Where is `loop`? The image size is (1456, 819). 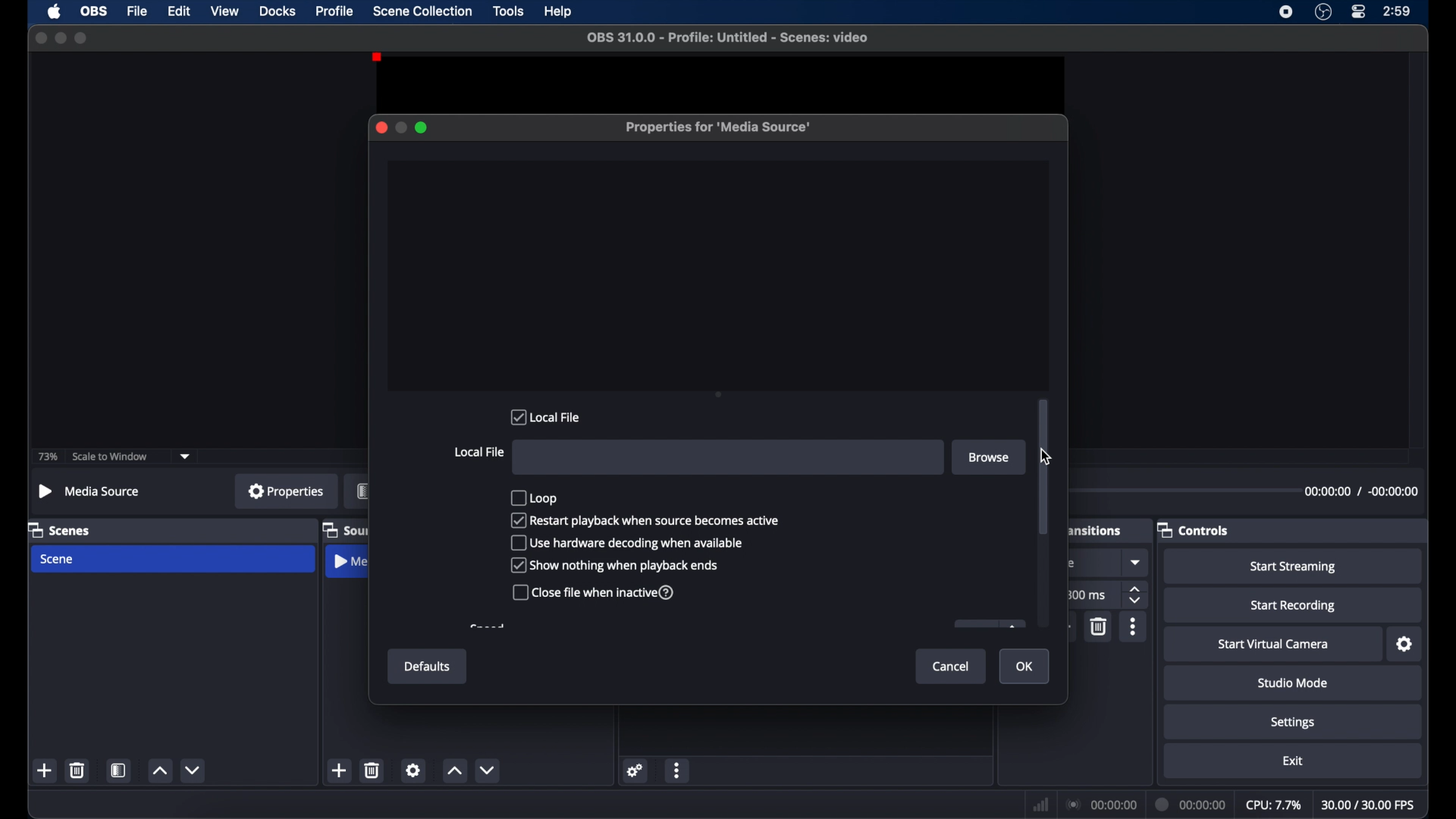 loop is located at coordinates (534, 497).